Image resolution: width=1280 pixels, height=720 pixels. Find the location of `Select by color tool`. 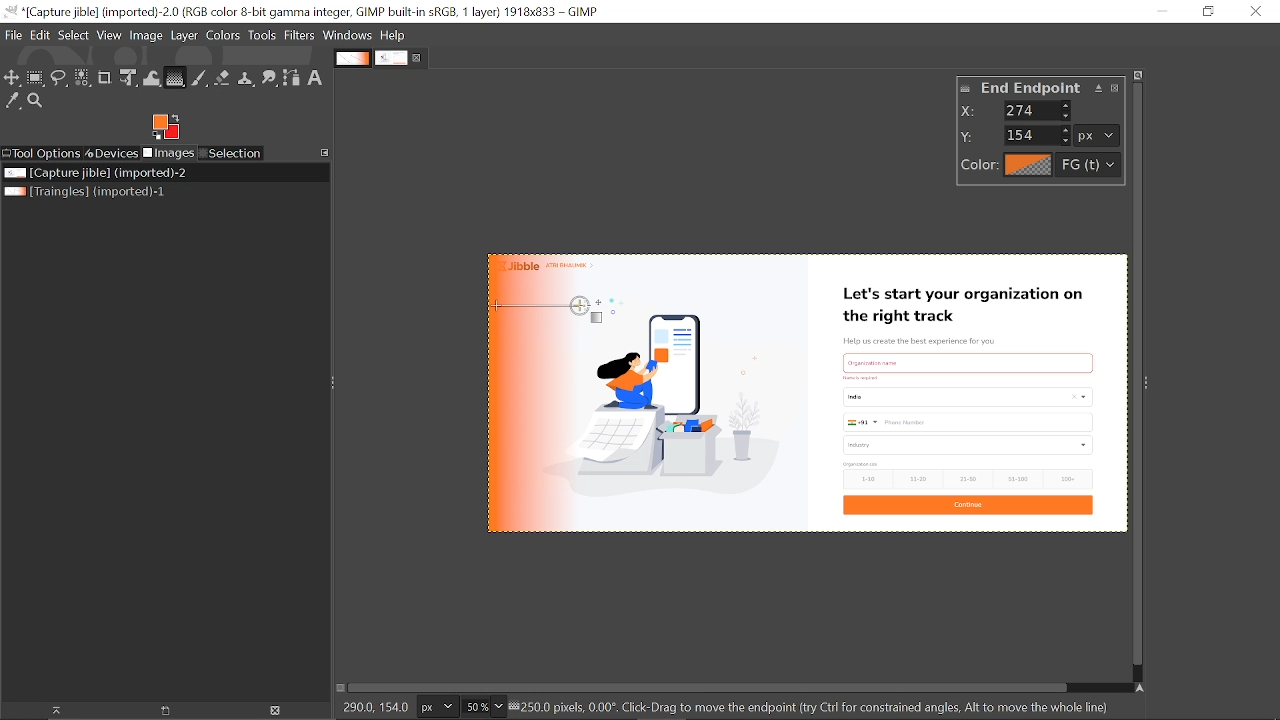

Select by color tool is located at coordinates (83, 77).